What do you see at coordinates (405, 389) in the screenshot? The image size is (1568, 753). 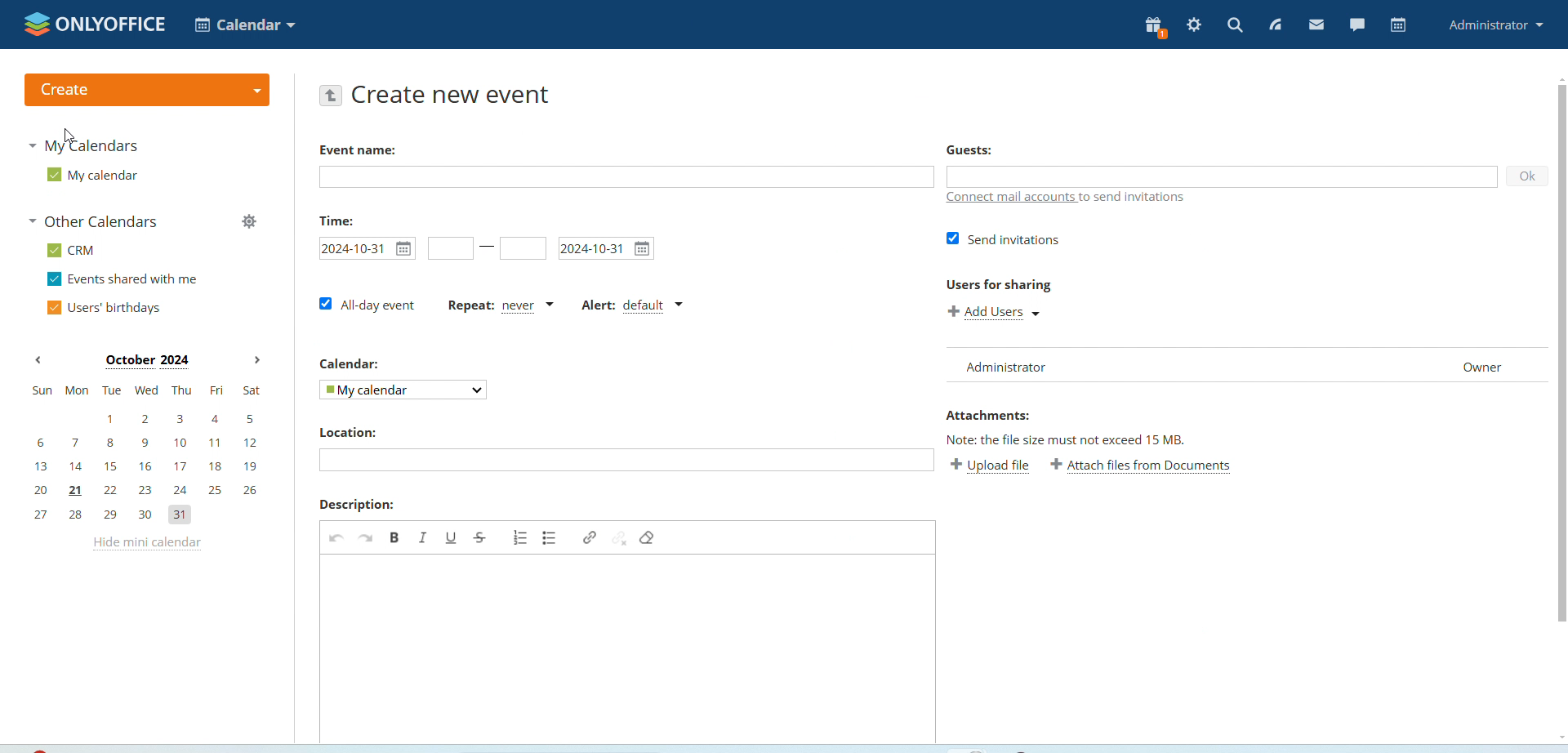 I see `my calendar` at bounding box center [405, 389].